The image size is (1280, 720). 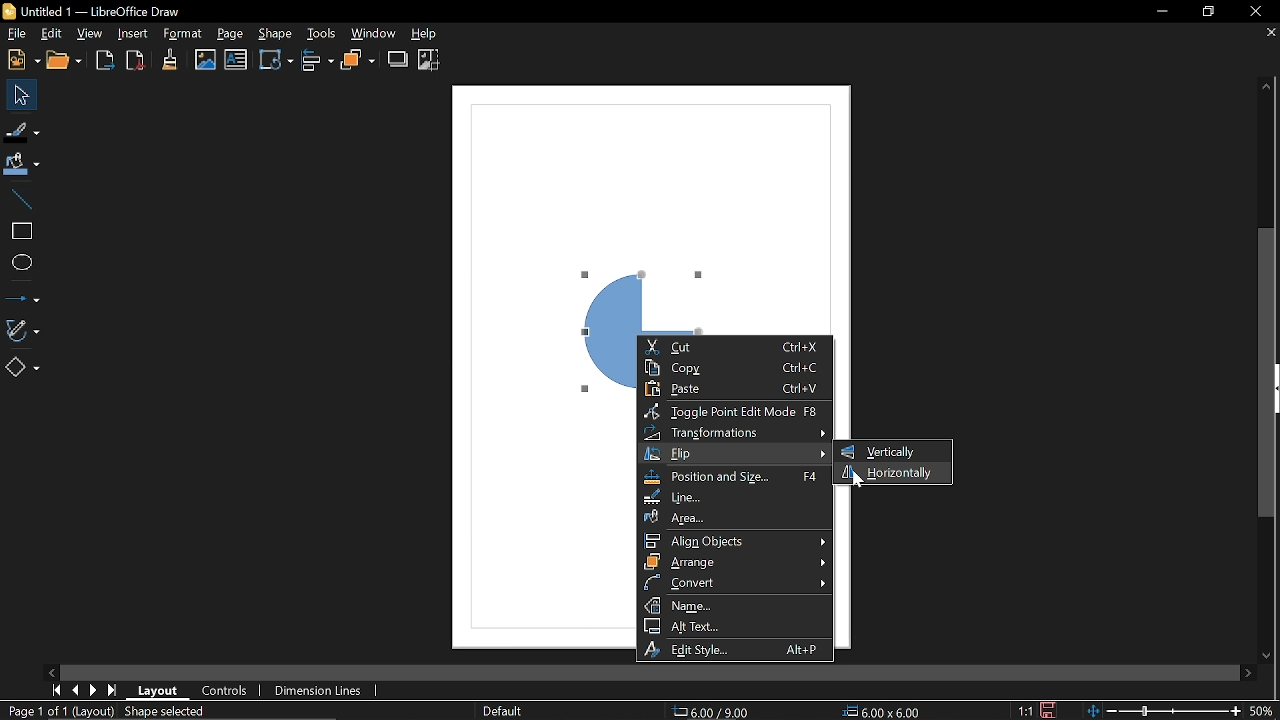 What do you see at coordinates (1266, 87) in the screenshot?
I see `Move up` at bounding box center [1266, 87].